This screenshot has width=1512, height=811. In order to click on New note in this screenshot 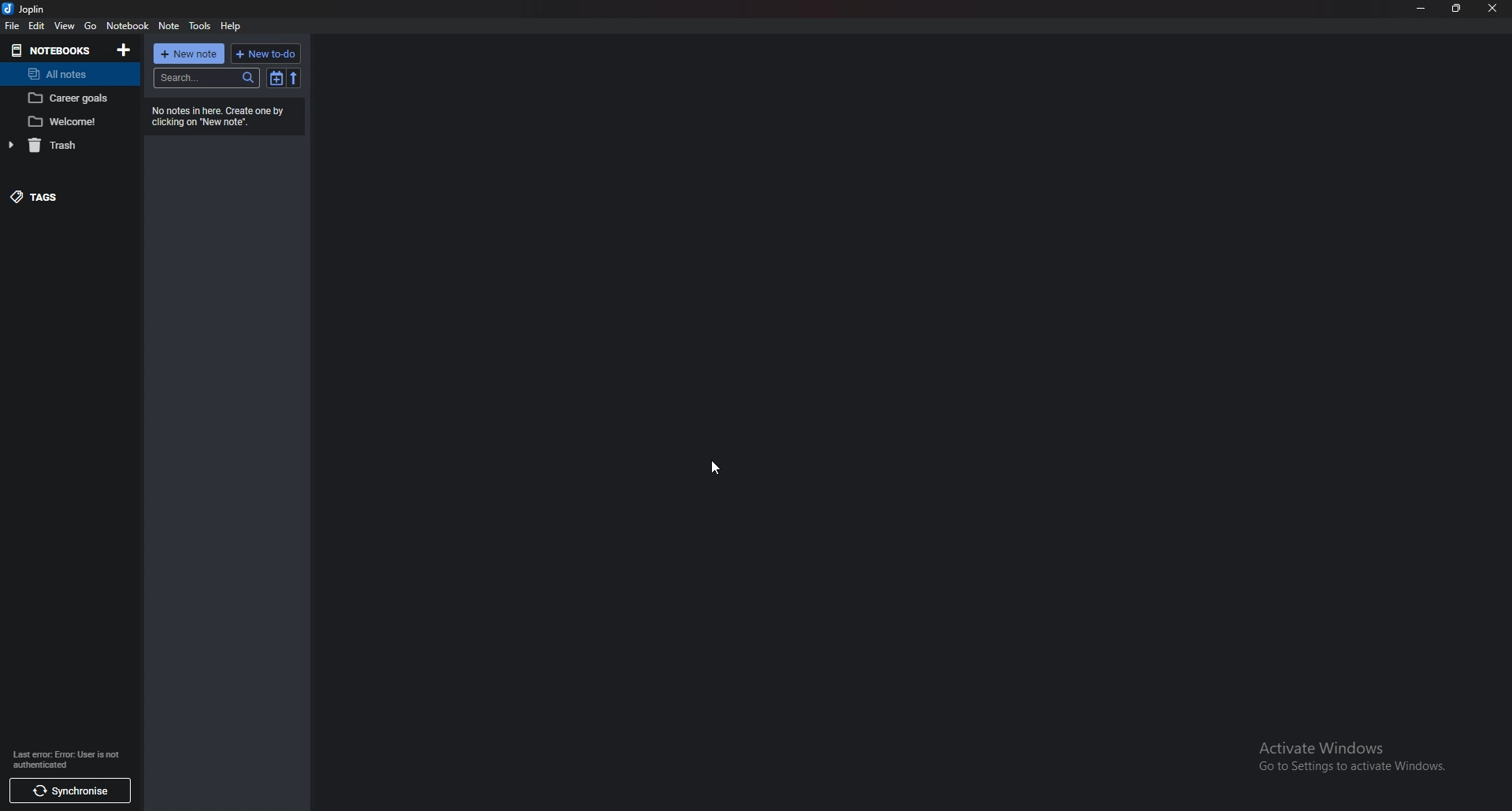, I will do `click(191, 54)`.